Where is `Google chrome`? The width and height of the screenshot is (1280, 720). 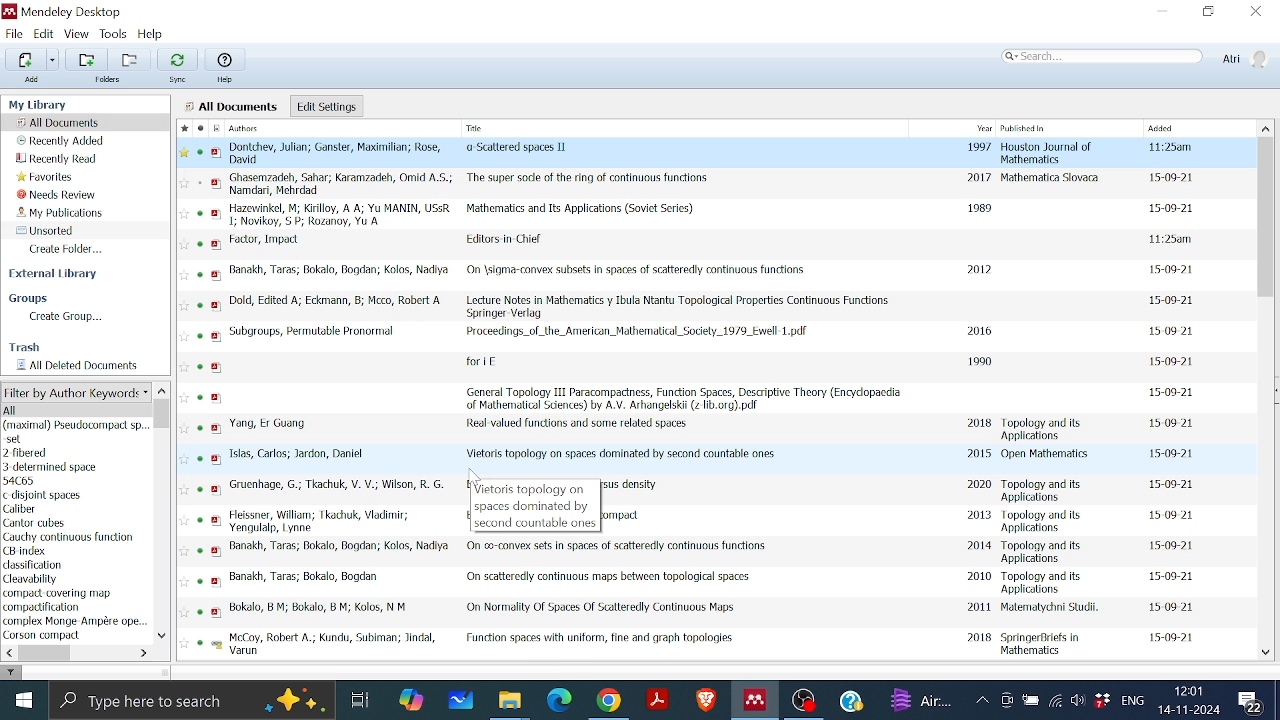
Google chrome is located at coordinates (610, 700).